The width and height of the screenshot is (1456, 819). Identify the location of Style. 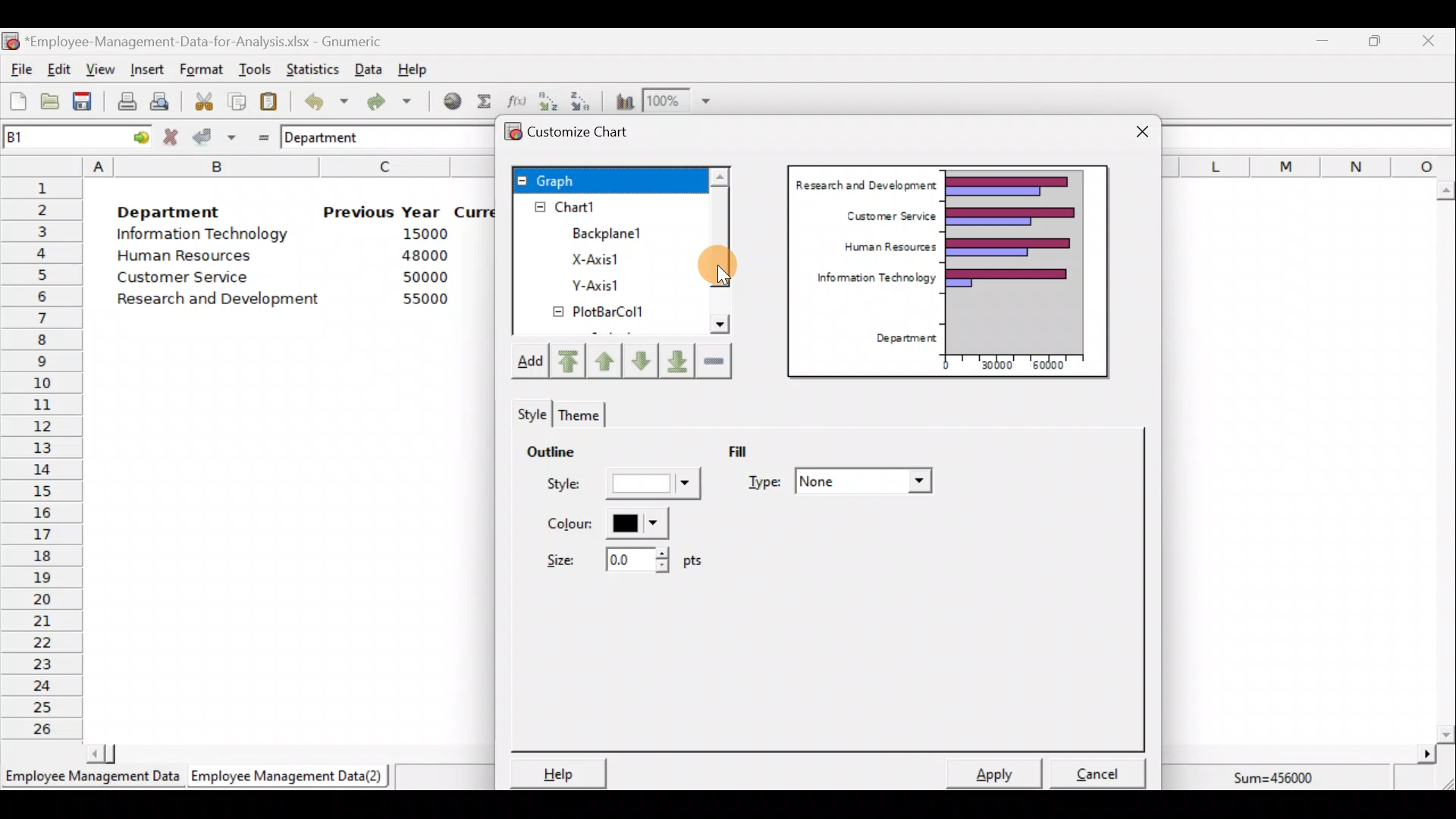
(529, 411).